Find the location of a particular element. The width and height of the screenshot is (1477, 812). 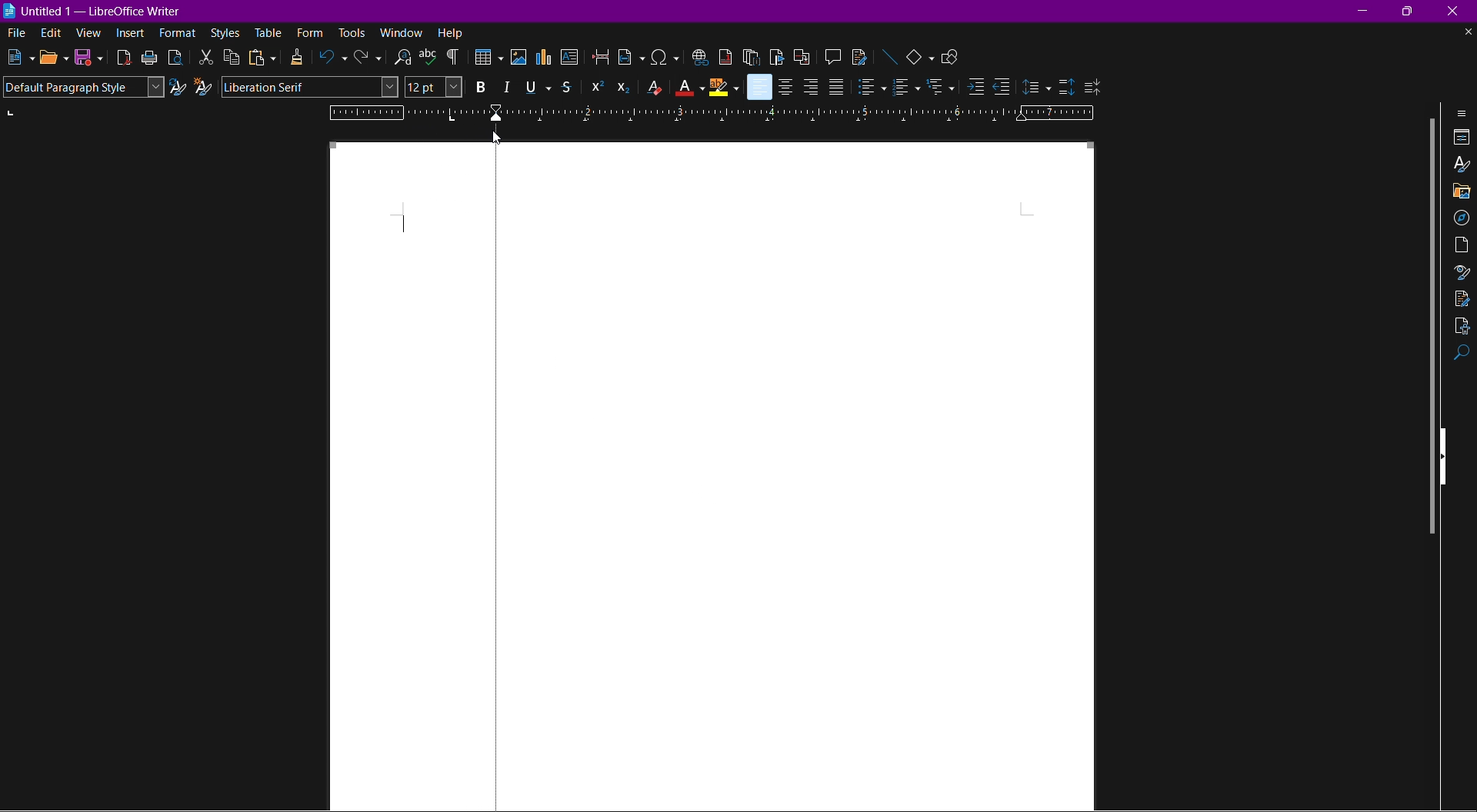

Close is located at coordinates (1459, 11).